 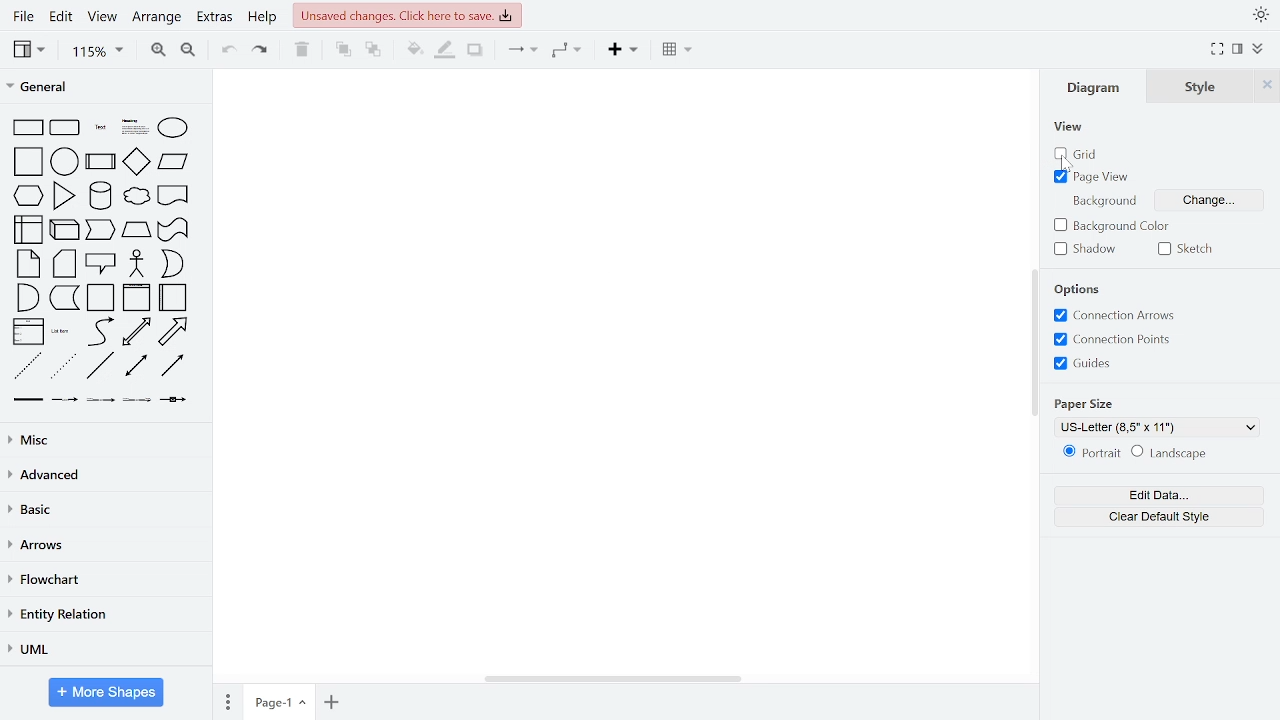 What do you see at coordinates (102, 16) in the screenshot?
I see `view` at bounding box center [102, 16].